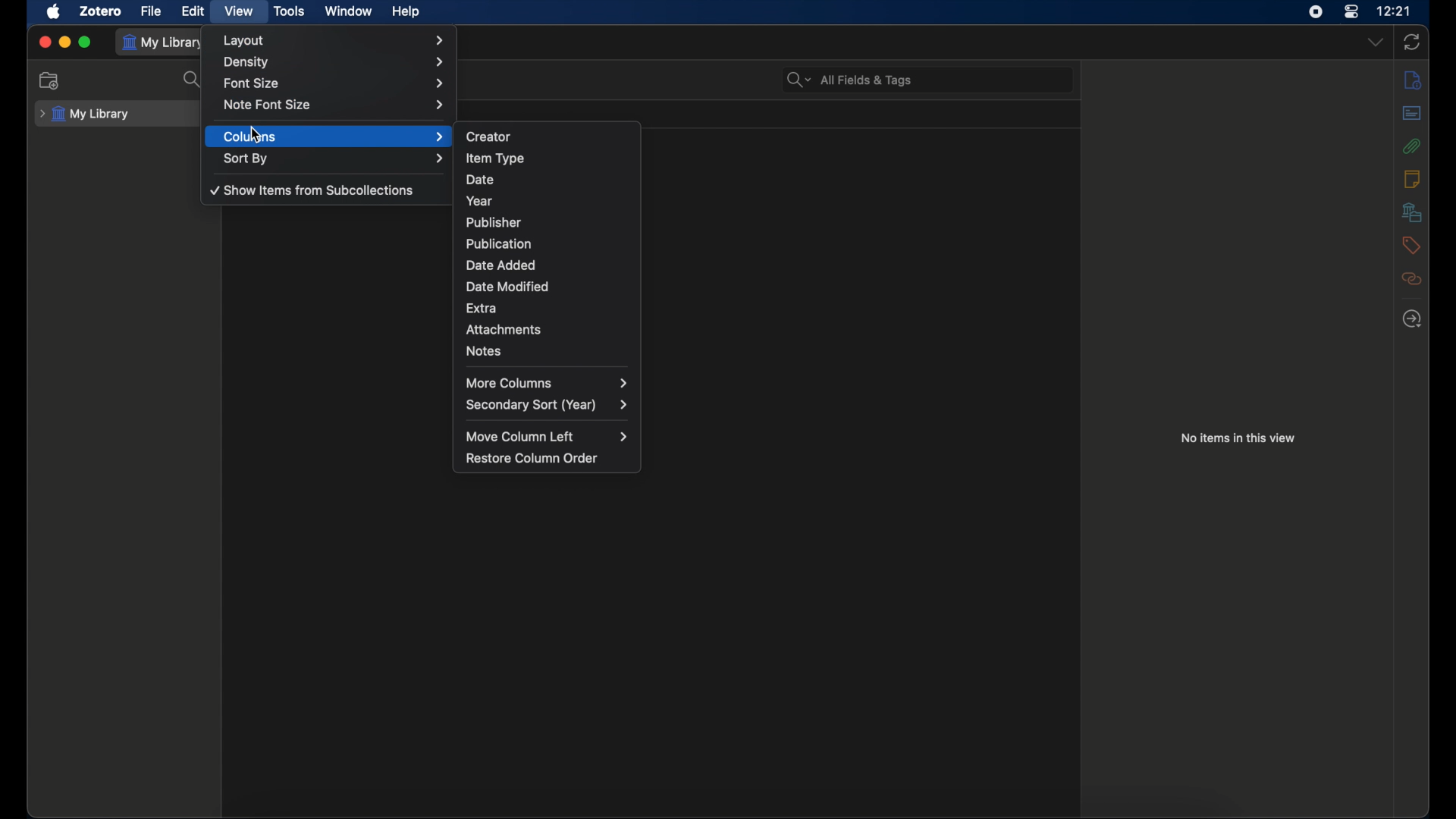  I want to click on publisher, so click(494, 222).